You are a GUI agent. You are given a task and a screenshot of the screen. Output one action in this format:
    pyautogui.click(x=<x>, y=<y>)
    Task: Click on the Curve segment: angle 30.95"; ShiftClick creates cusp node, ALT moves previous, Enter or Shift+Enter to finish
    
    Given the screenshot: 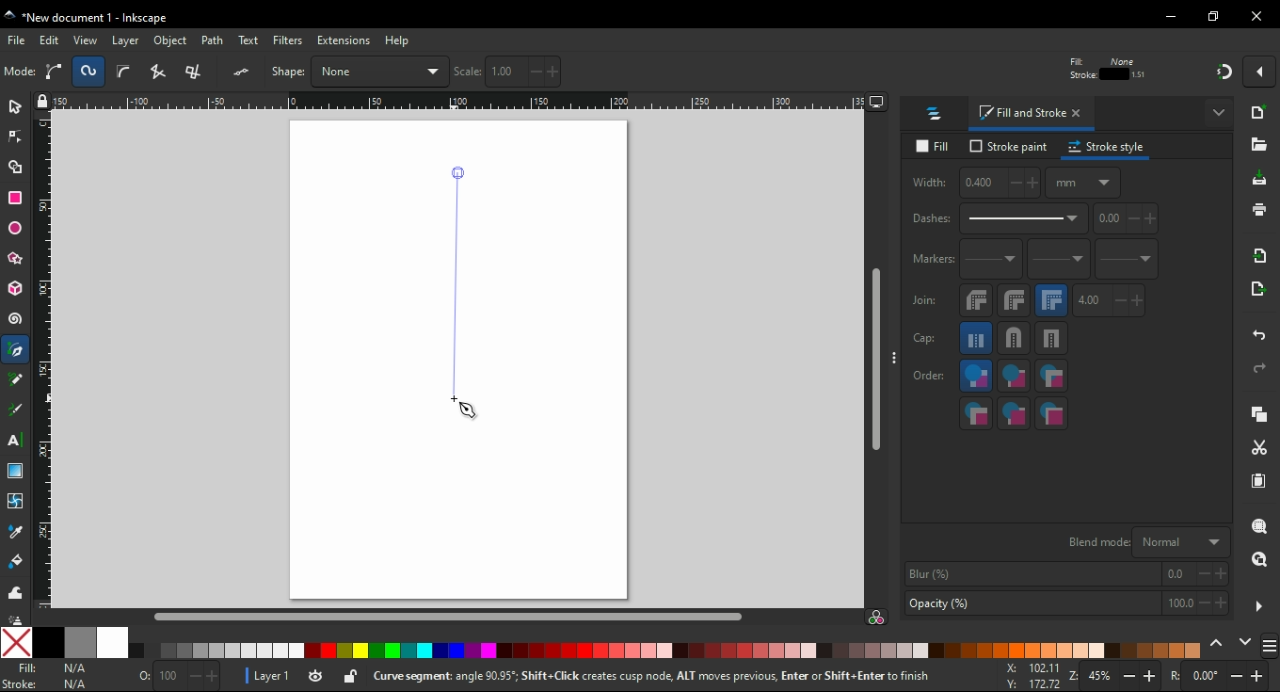 What is the action you would take?
    pyautogui.click(x=638, y=678)
    